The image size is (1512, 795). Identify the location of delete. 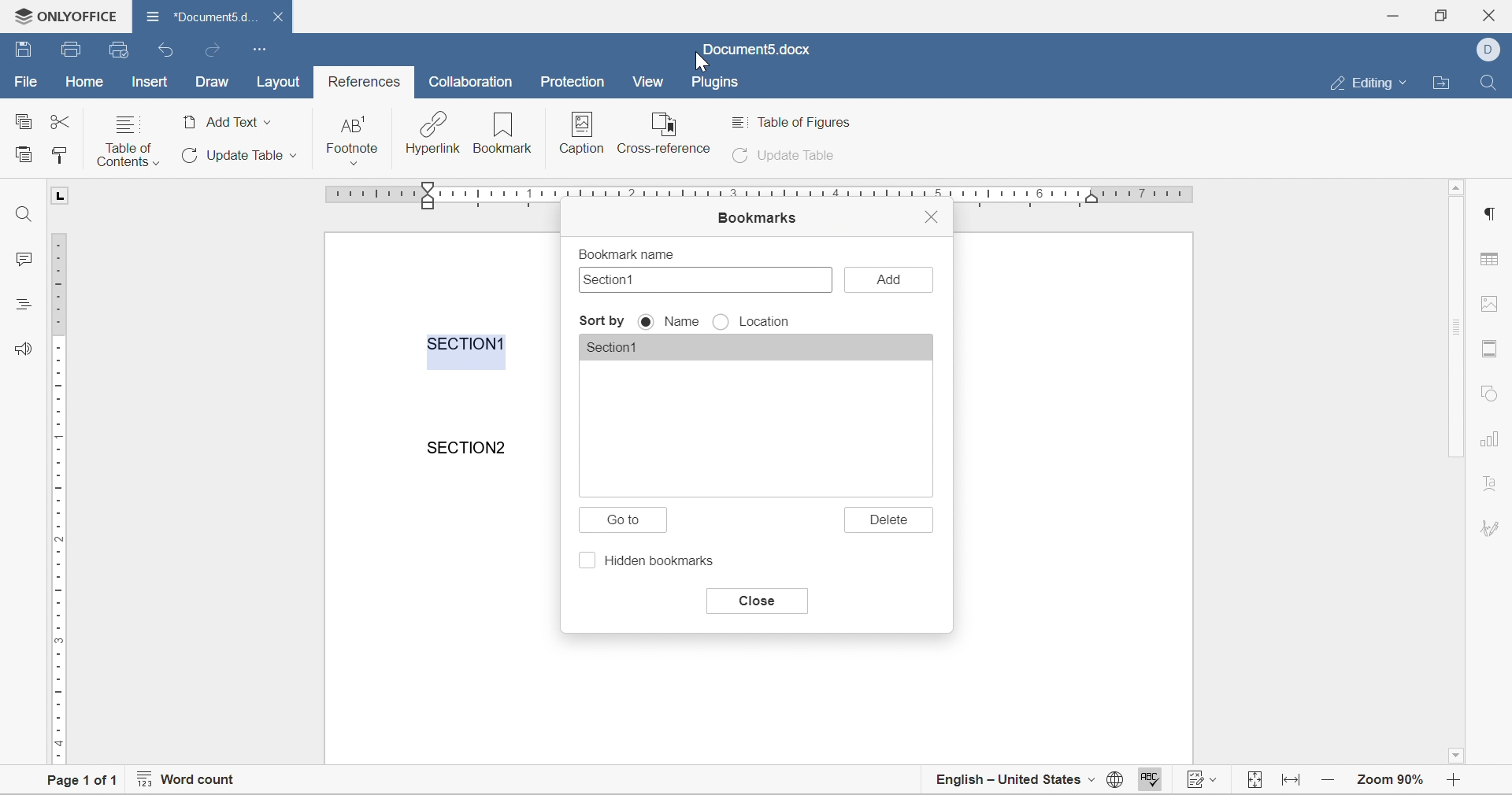
(891, 520).